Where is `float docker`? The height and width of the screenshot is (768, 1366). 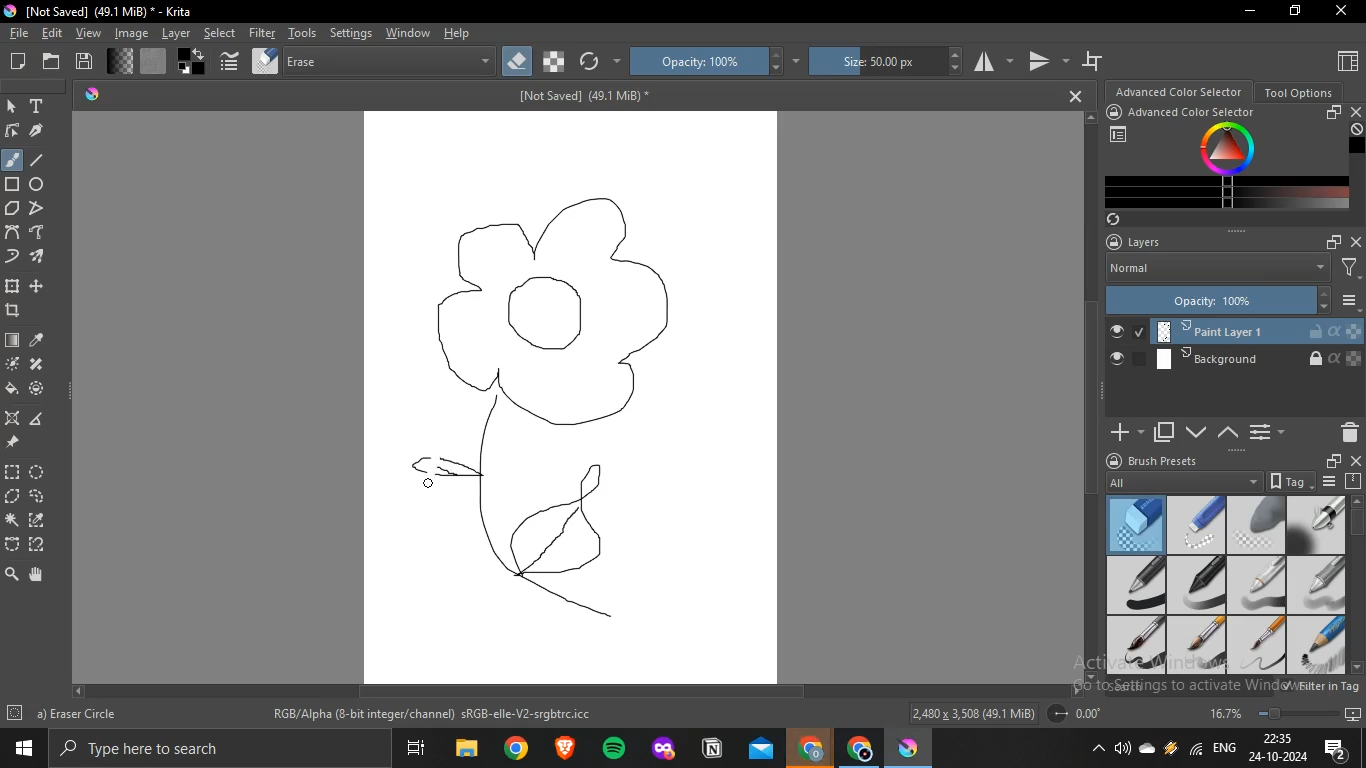 float docker is located at coordinates (1334, 113).